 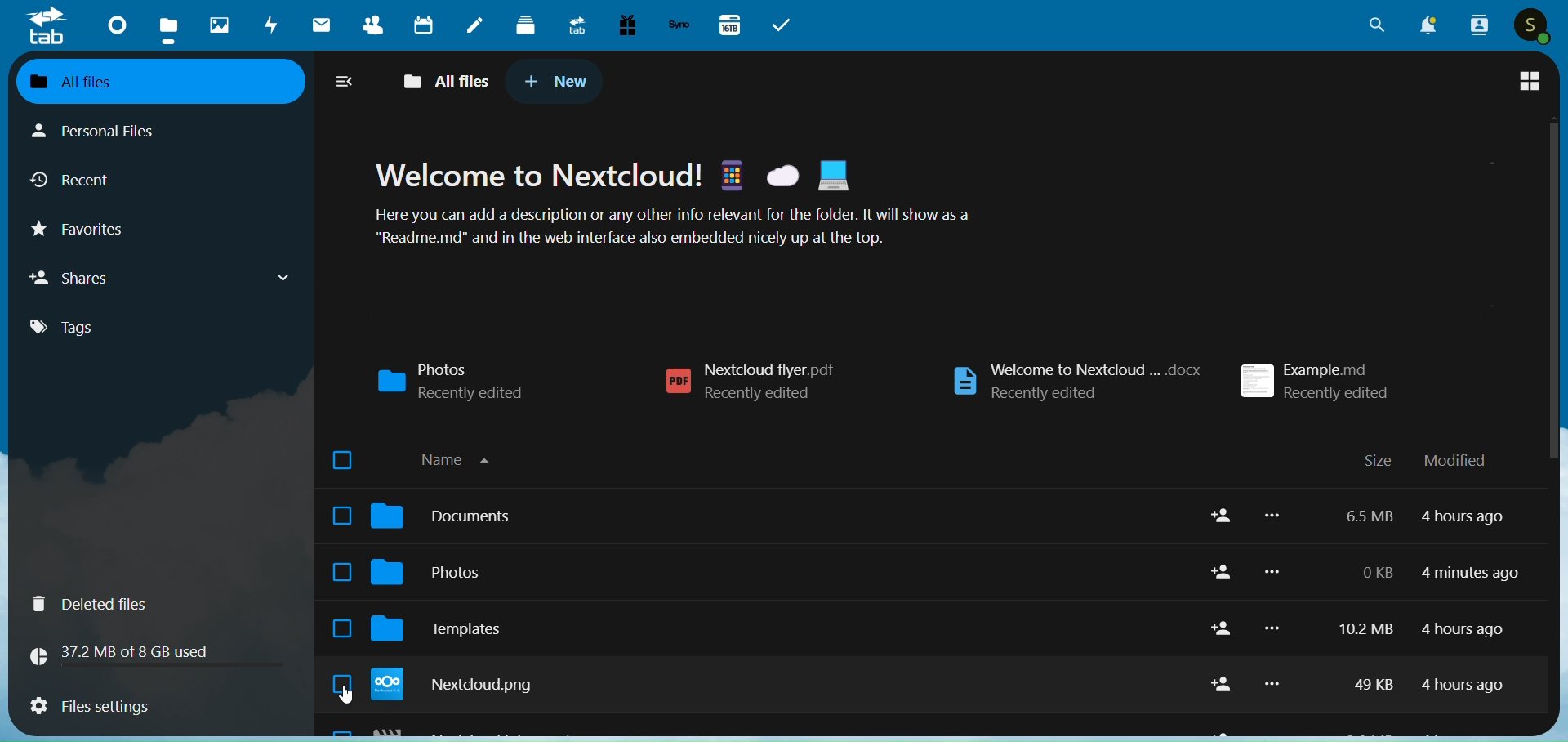 I want to click on shares, so click(x=165, y=278).